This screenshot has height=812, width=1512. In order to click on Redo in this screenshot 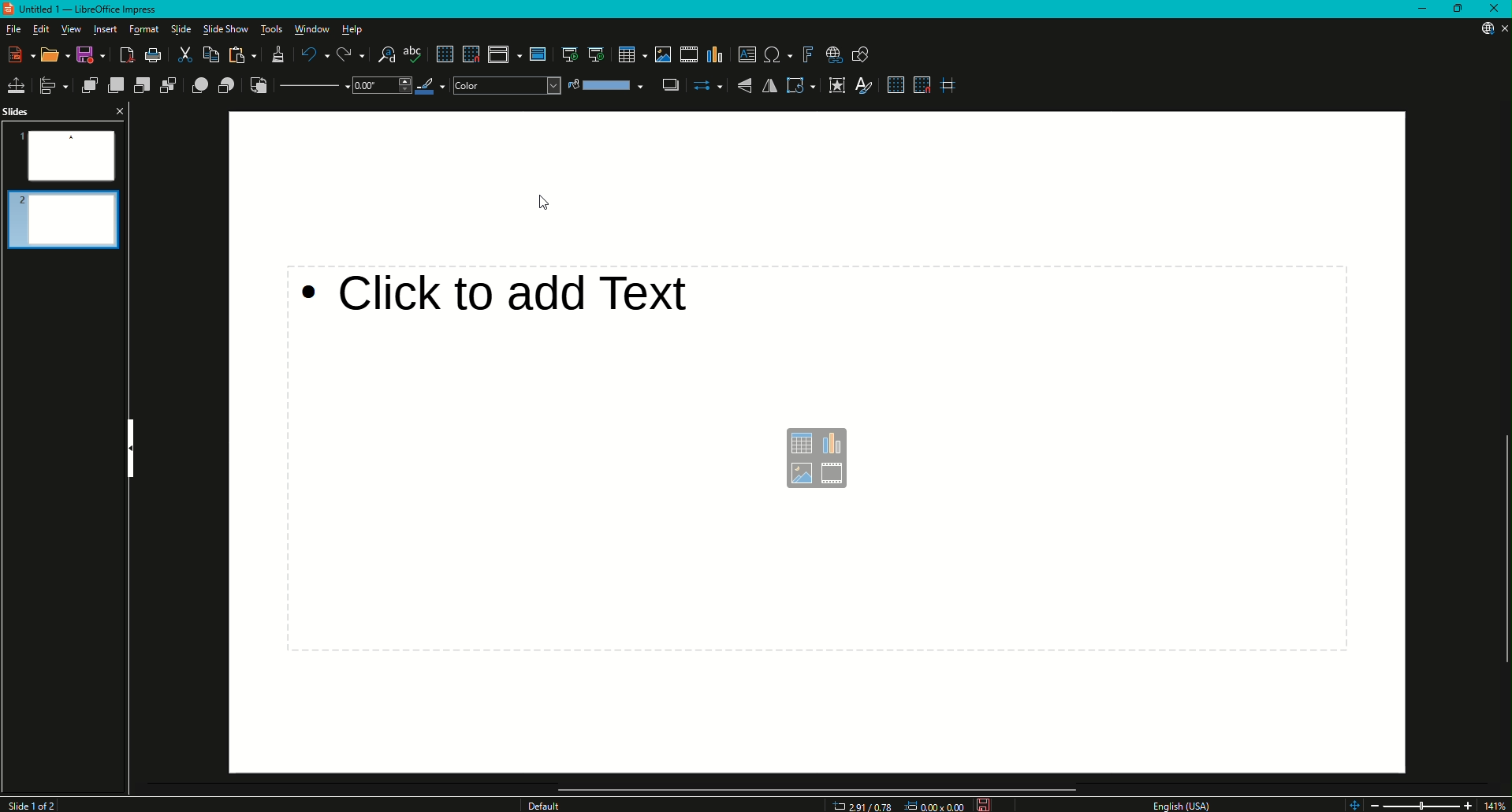, I will do `click(345, 52)`.